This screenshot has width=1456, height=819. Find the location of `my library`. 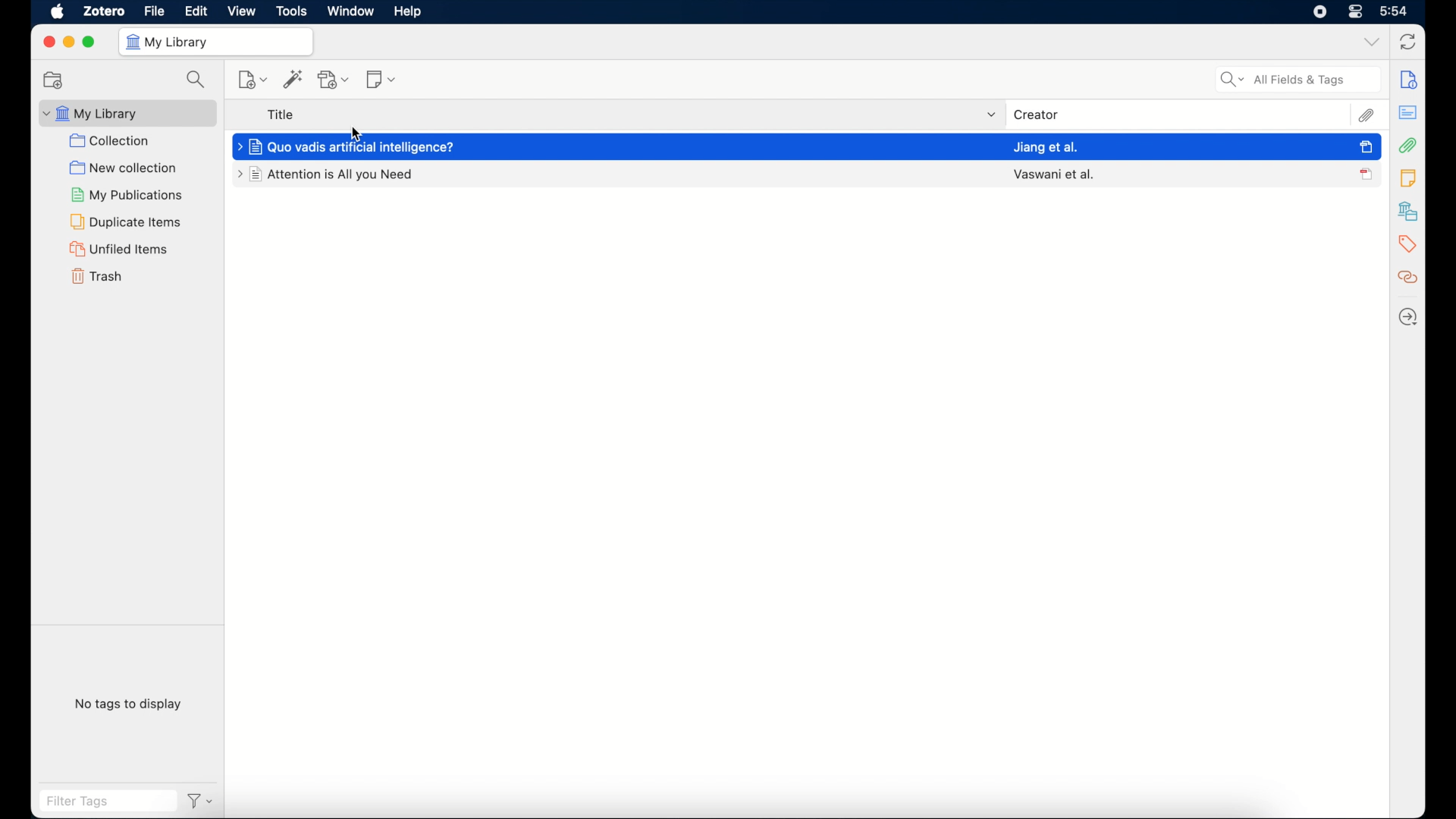

my library is located at coordinates (128, 112).